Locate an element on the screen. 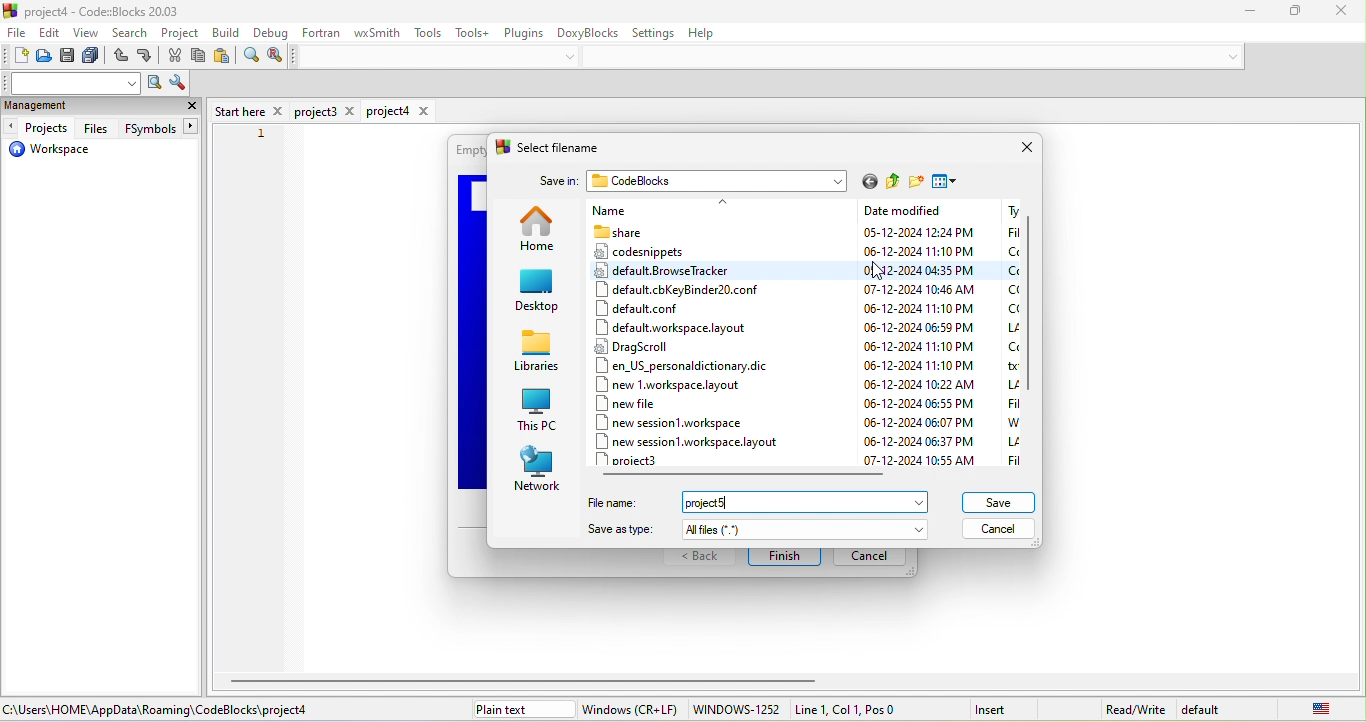 This screenshot has height=722, width=1366. minimize is located at coordinates (1240, 12).